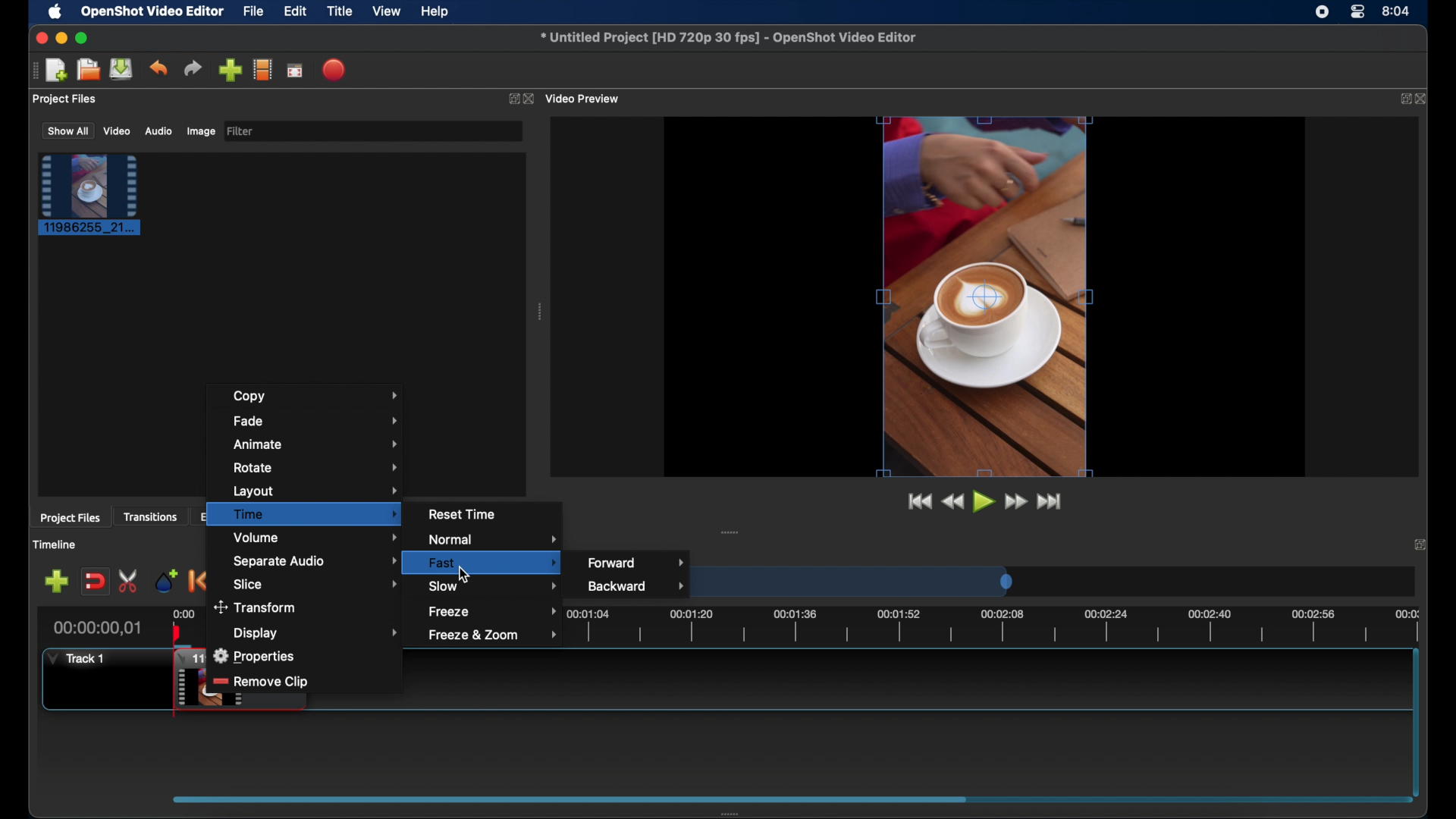 The image size is (1456, 819). What do you see at coordinates (529, 99) in the screenshot?
I see `close` at bounding box center [529, 99].